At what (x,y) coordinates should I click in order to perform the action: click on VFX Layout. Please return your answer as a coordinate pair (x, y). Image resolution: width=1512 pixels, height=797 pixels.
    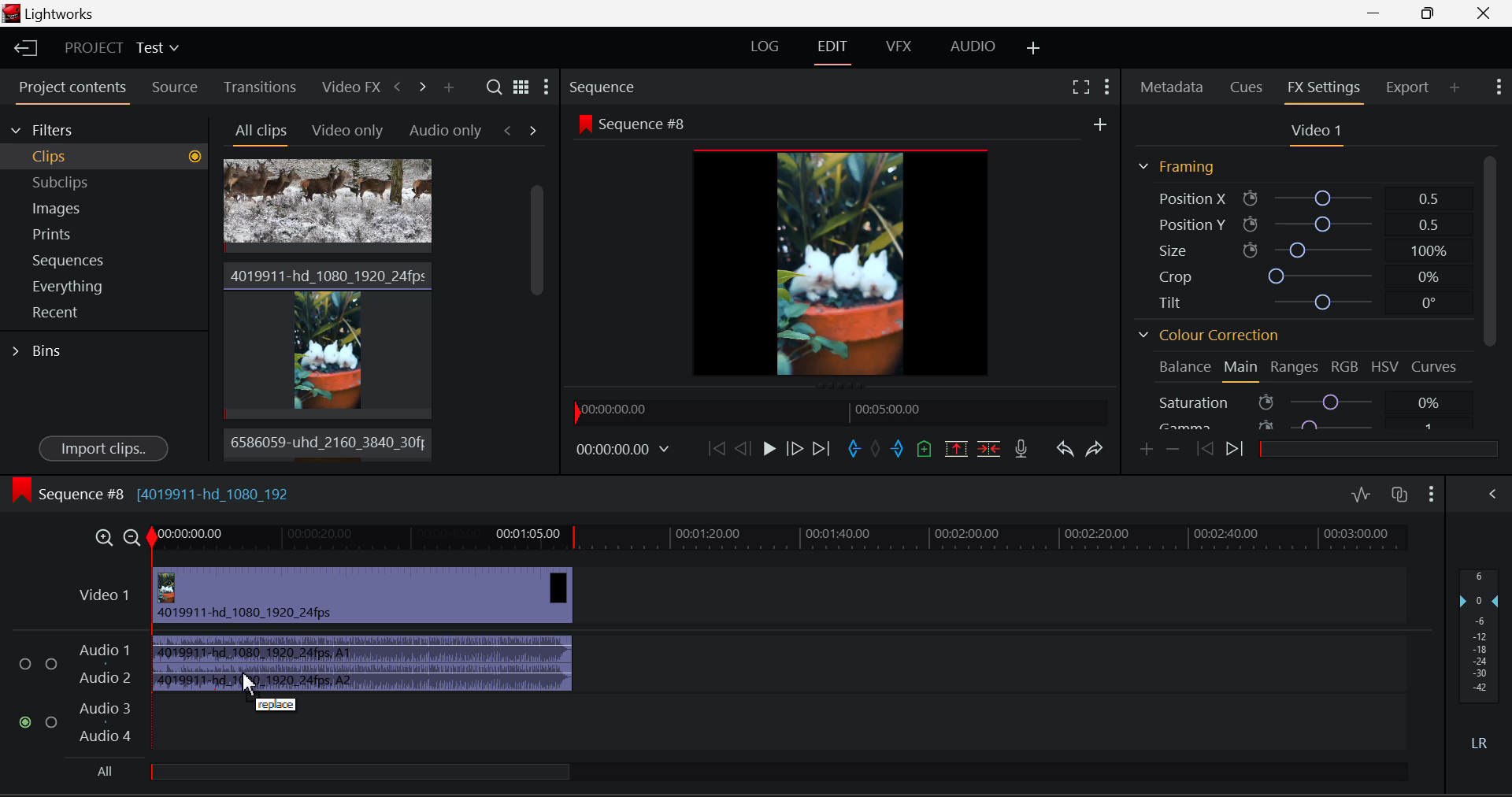
    Looking at the image, I should click on (897, 46).